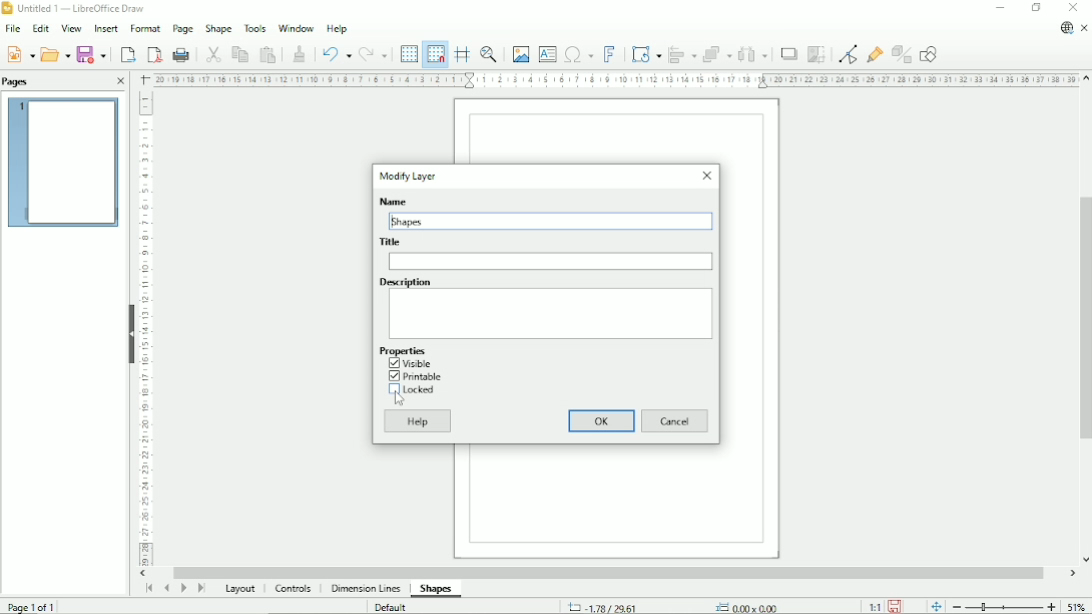 This screenshot has width=1092, height=614. Describe the element at coordinates (999, 9) in the screenshot. I see `Minimize` at that location.